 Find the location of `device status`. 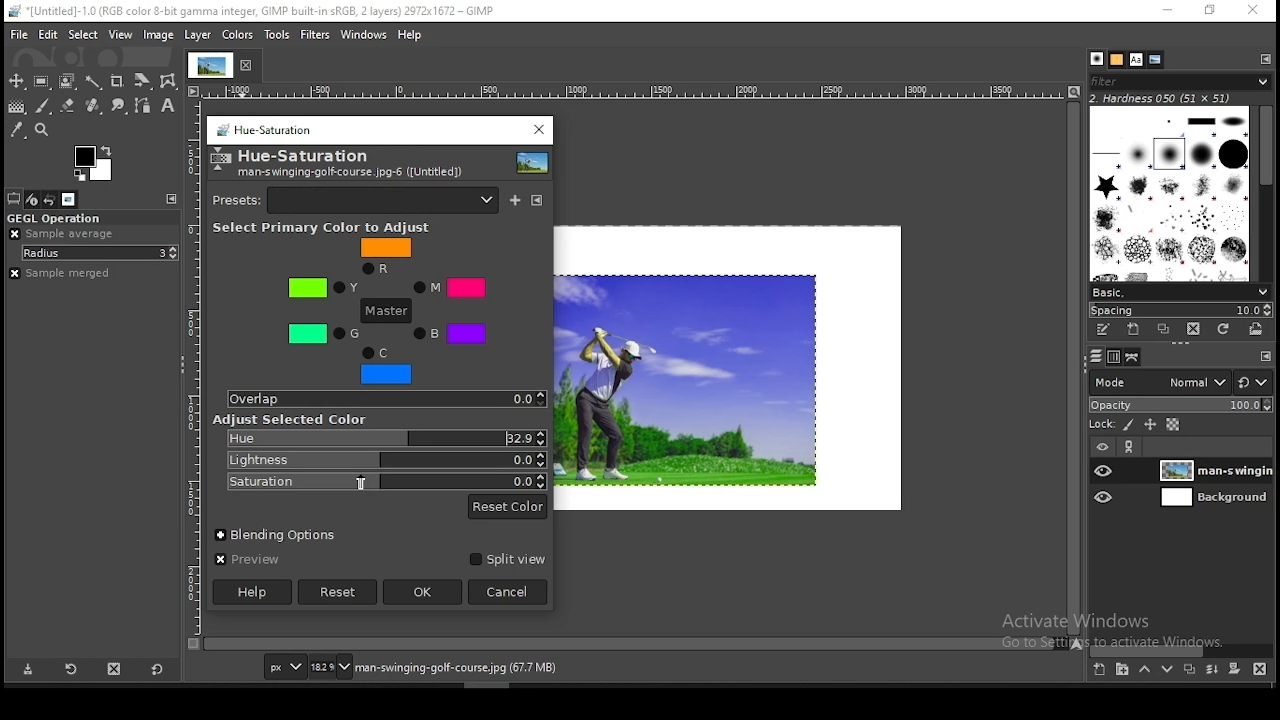

device status is located at coordinates (34, 199).